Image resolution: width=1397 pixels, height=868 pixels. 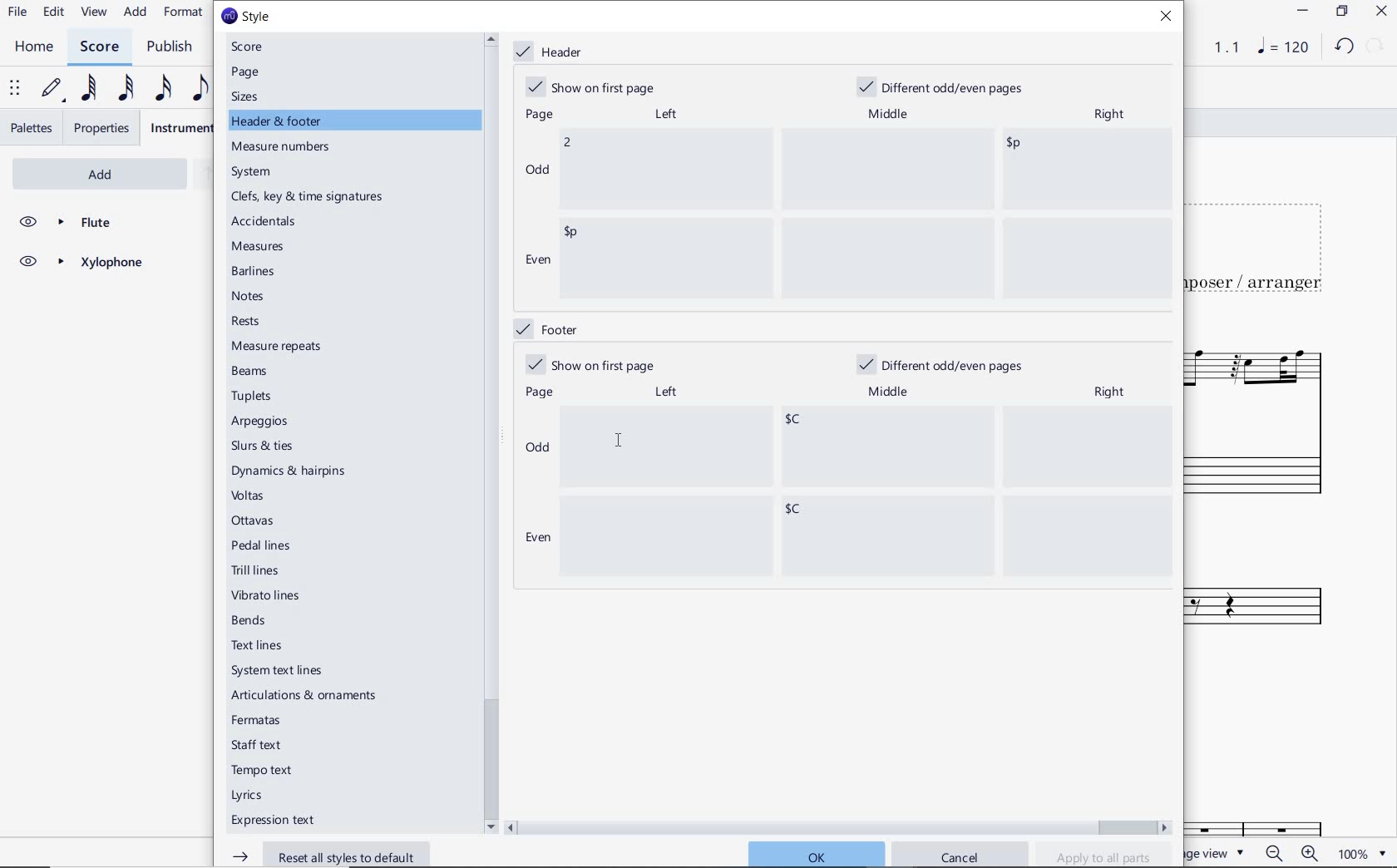 What do you see at coordinates (245, 17) in the screenshot?
I see `style` at bounding box center [245, 17].